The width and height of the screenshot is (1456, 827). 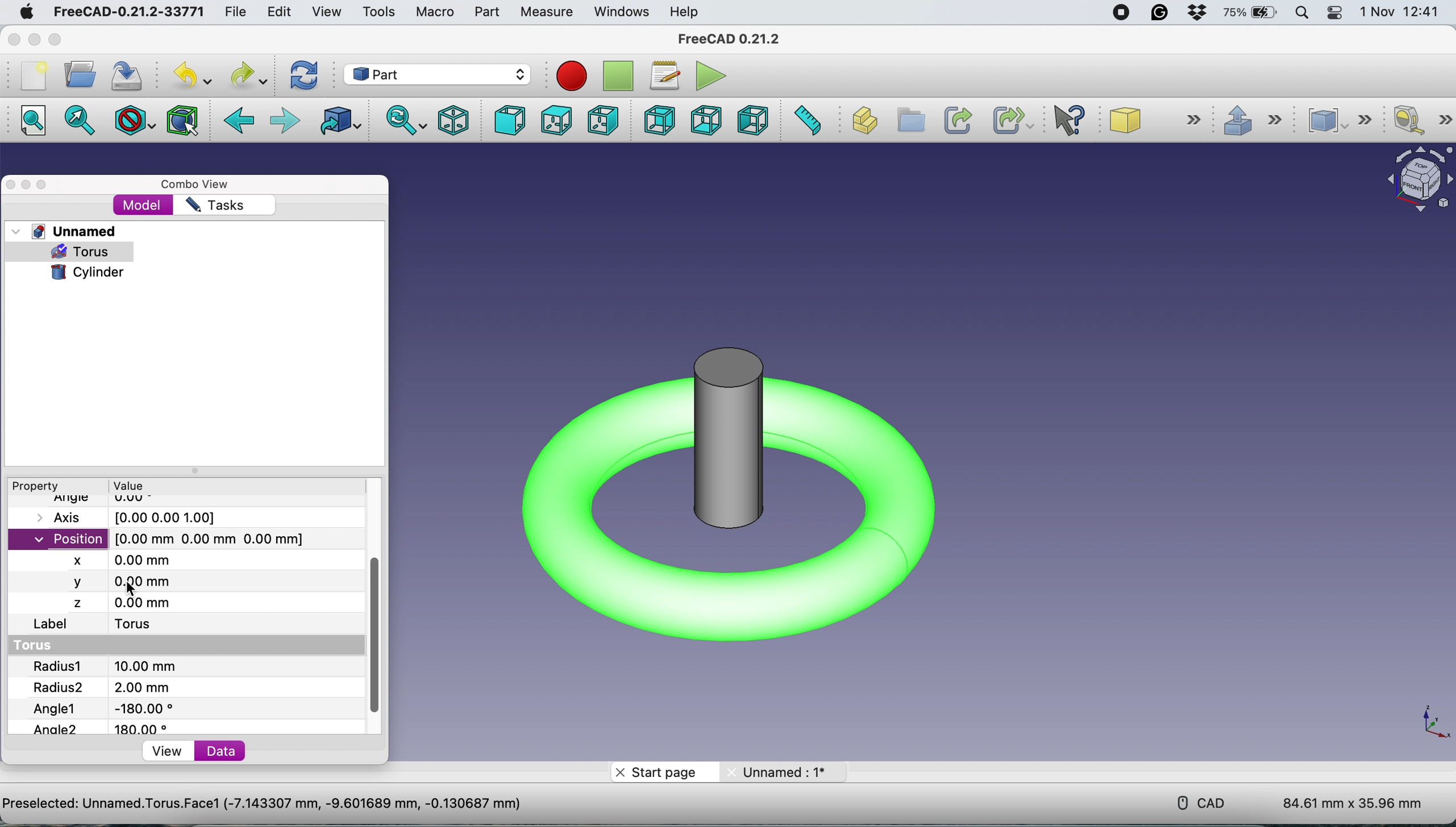 I want to click on isometric, so click(x=456, y=122).